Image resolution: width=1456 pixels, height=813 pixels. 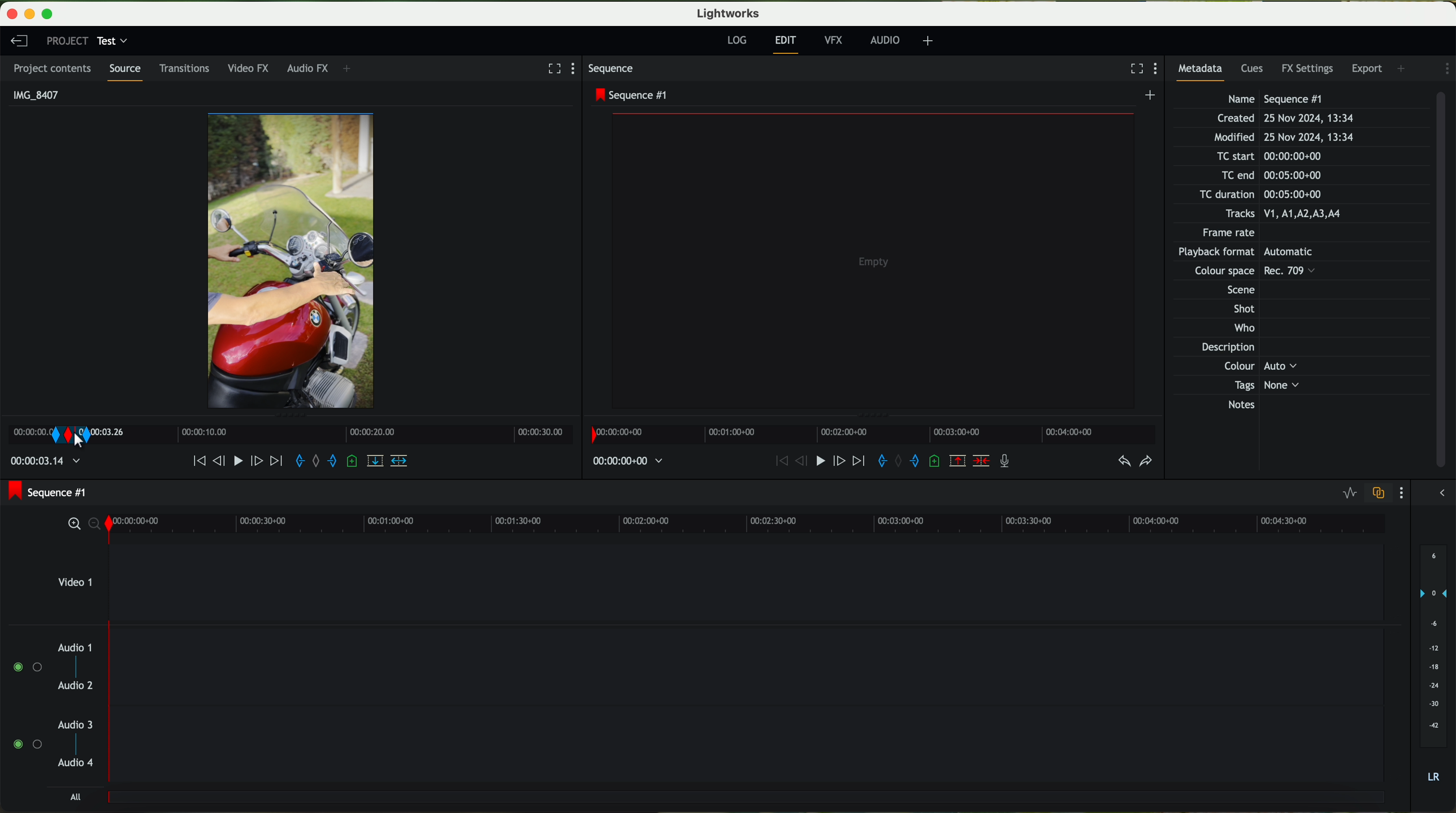 I want to click on create a new sequence, so click(x=1151, y=97).